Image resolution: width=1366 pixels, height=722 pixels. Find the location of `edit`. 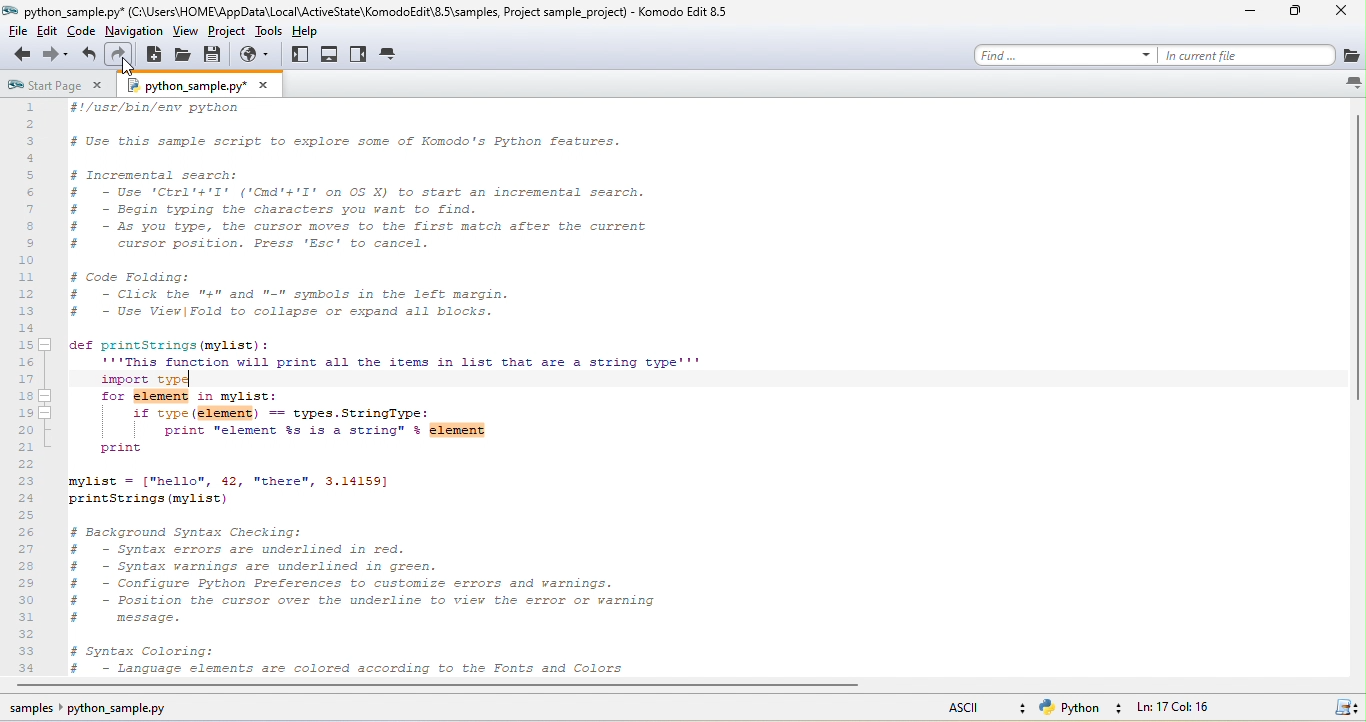

edit is located at coordinates (46, 32).